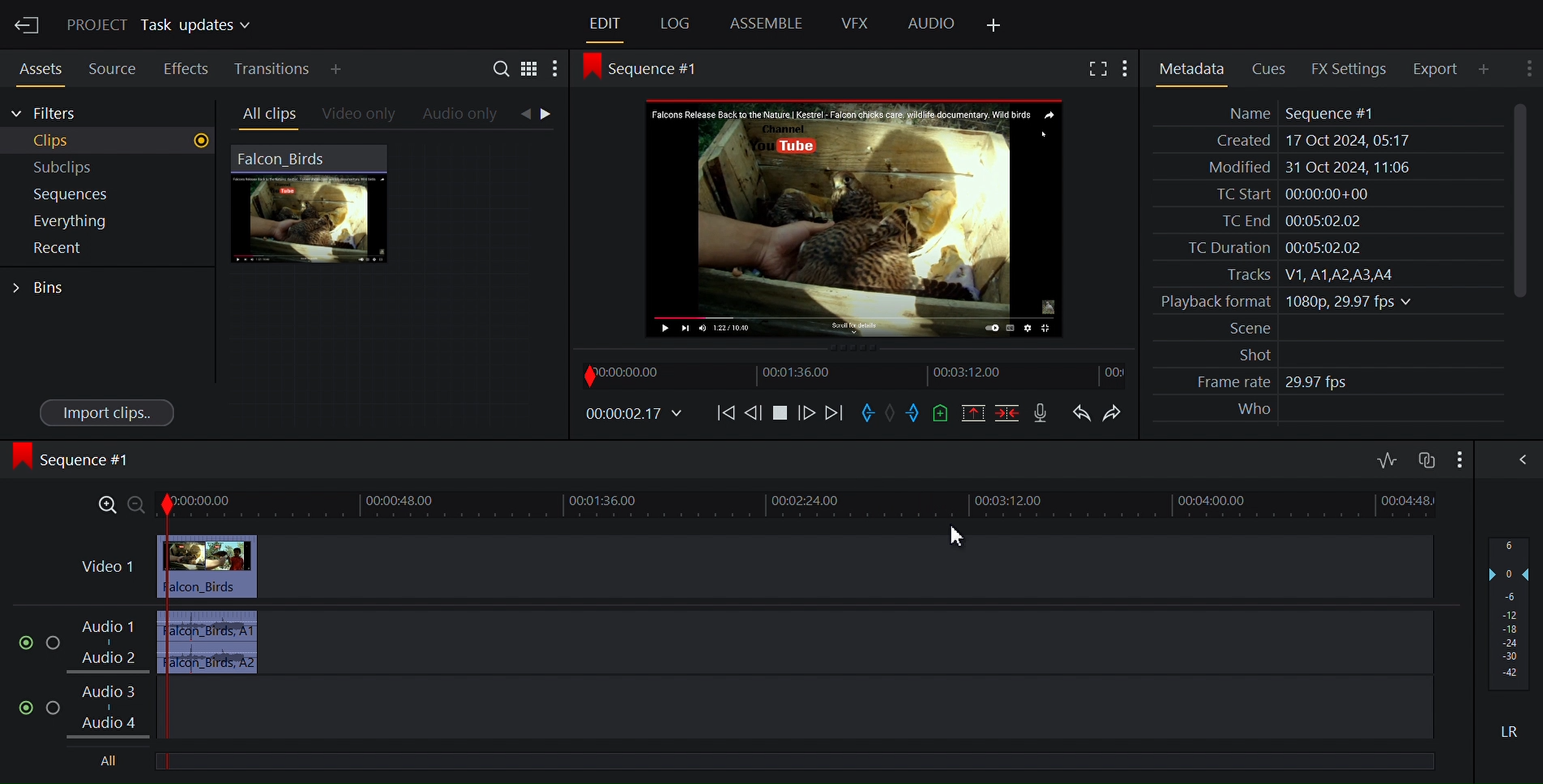 The height and width of the screenshot is (784, 1543). I want to click on Log, so click(673, 24).